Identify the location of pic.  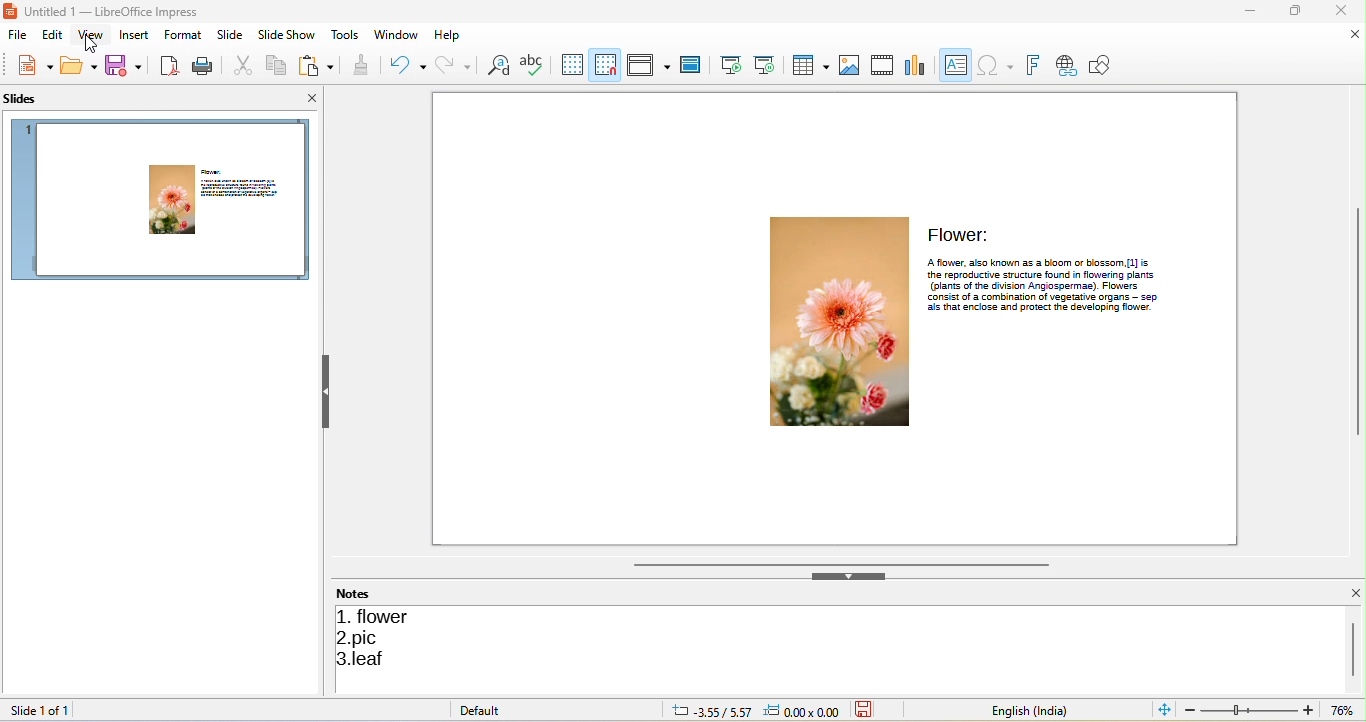
(364, 638).